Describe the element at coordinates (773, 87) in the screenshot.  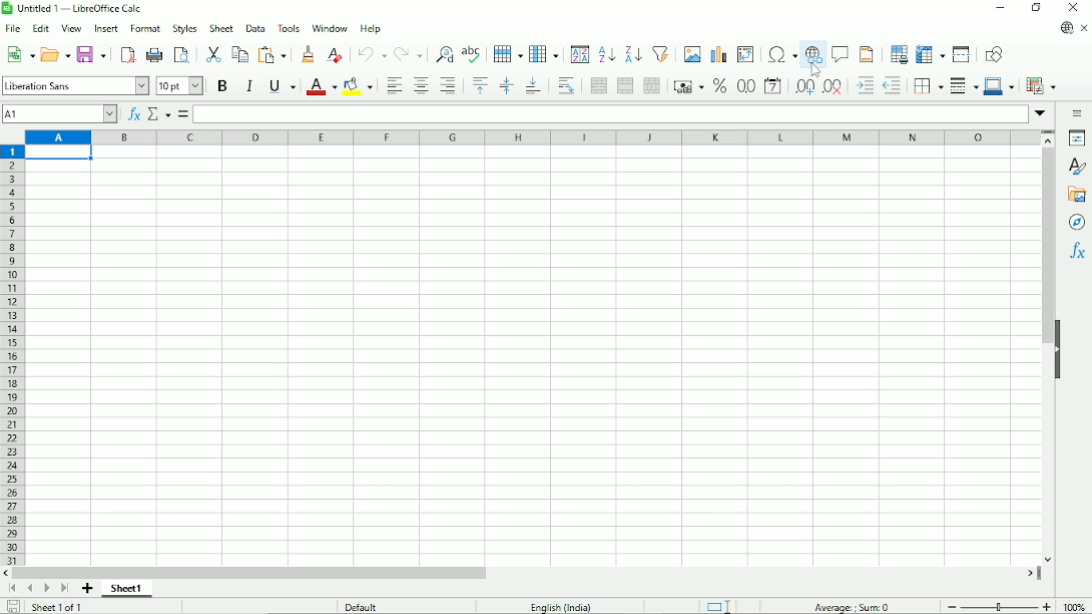
I see `Format as date` at that location.